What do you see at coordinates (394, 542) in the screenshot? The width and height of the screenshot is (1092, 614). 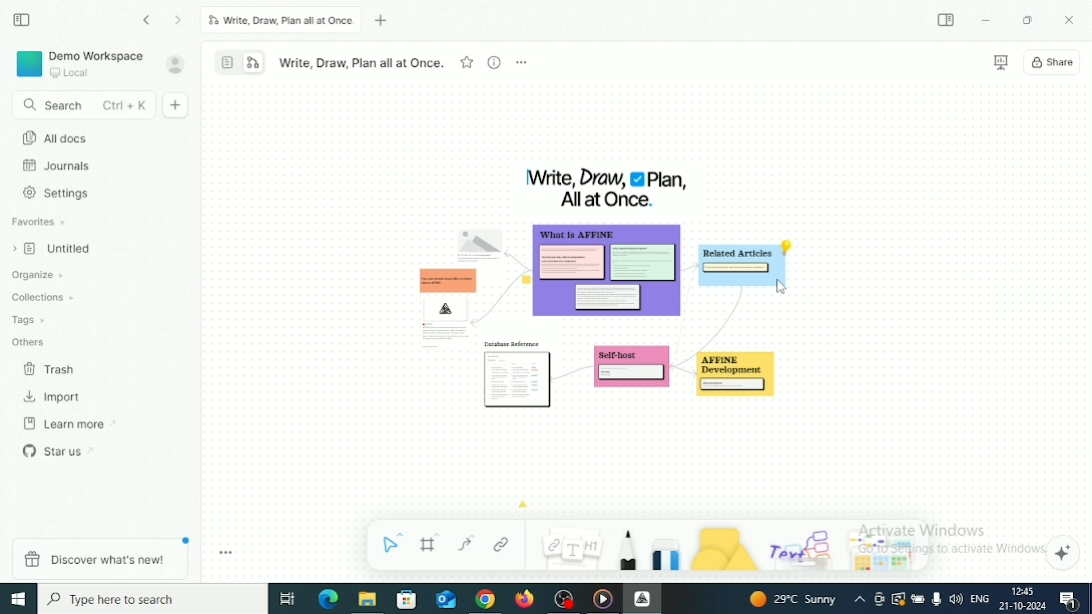 I see `Select` at bounding box center [394, 542].